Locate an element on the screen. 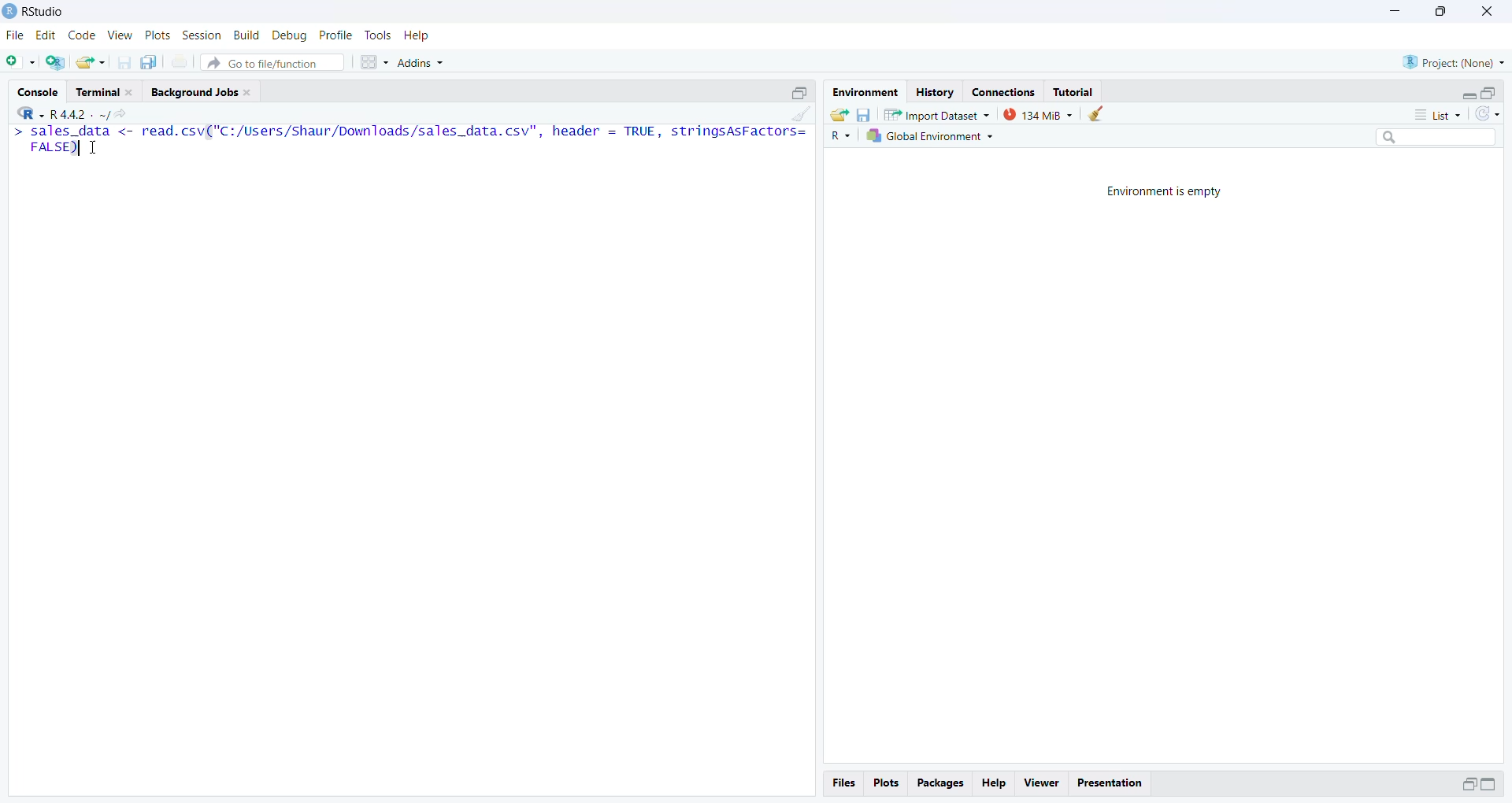 This screenshot has height=803, width=1512. Go to file/ function is located at coordinates (265, 62).